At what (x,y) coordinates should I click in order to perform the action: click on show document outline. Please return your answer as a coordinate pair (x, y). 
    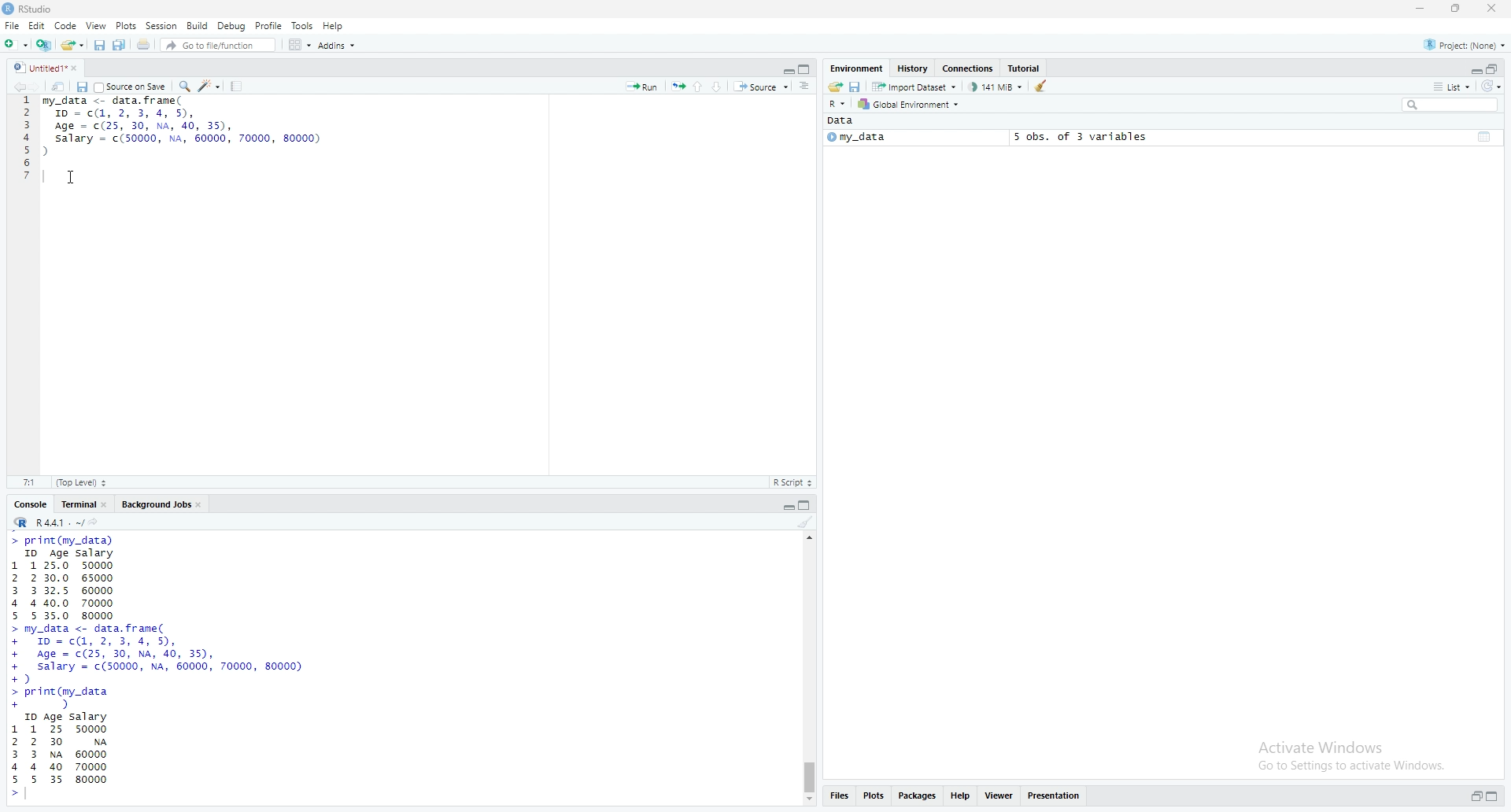
    Looking at the image, I should click on (806, 87).